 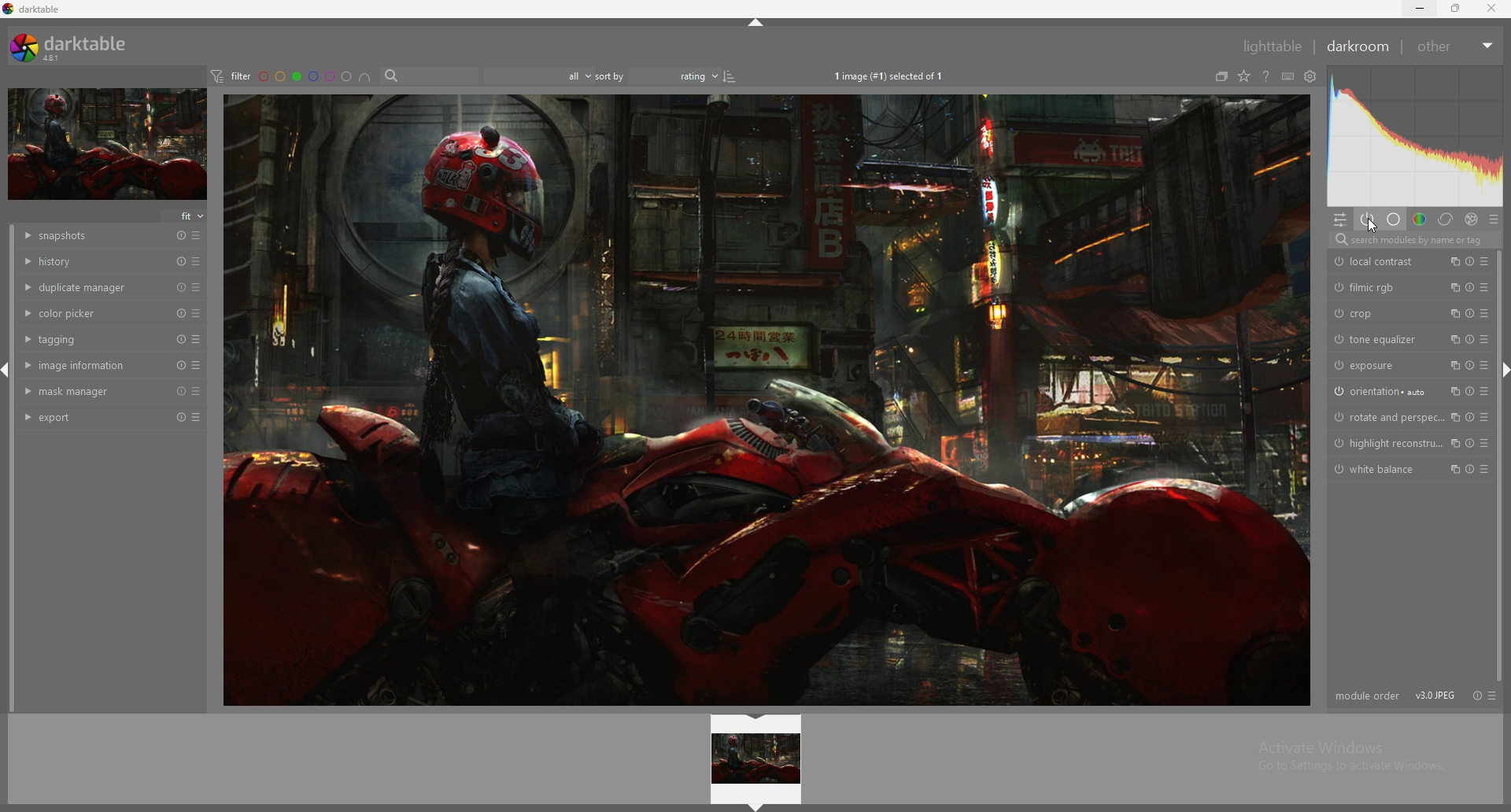 I want to click on export, so click(x=93, y=418).